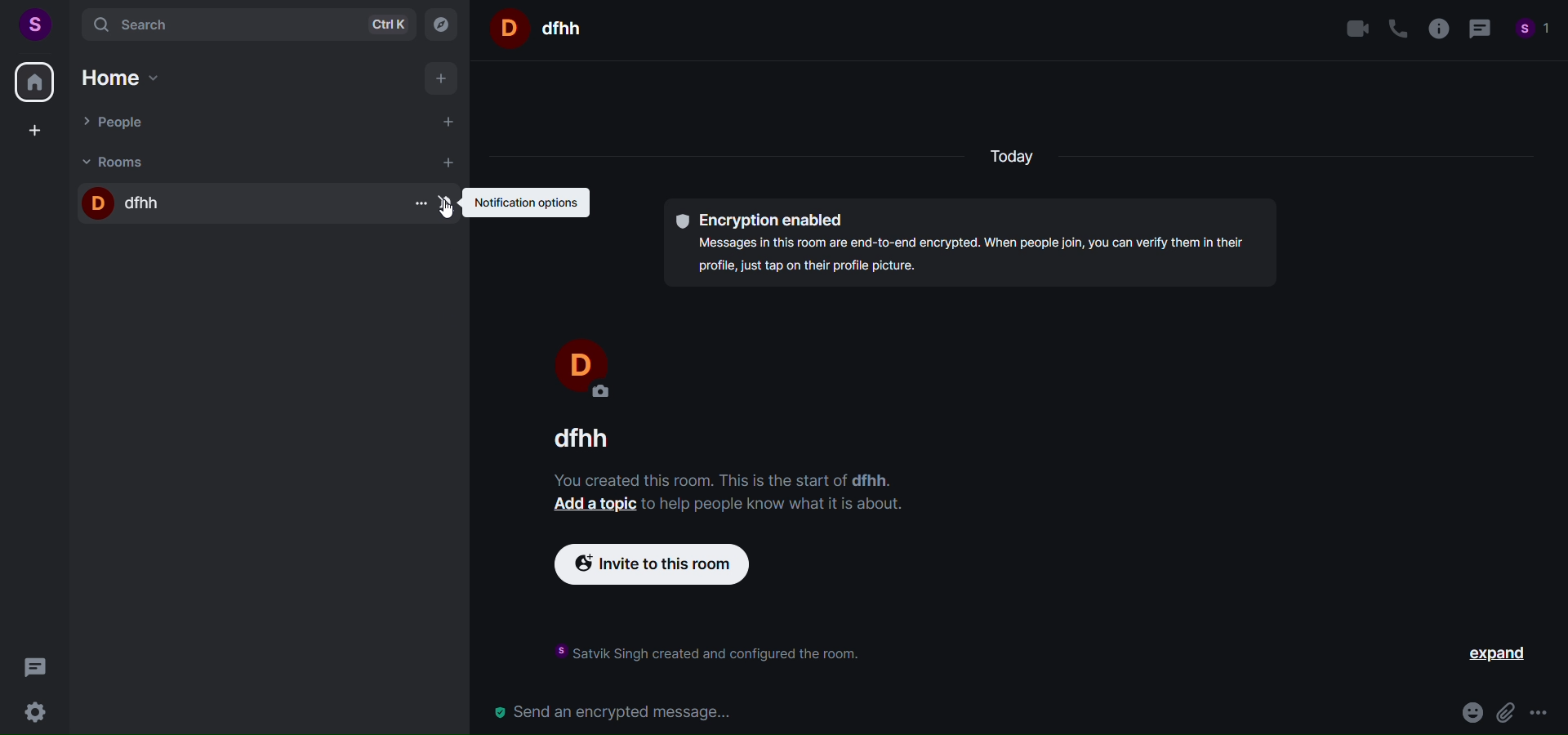 The width and height of the screenshot is (1568, 735). I want to click on user, so click(36, 24).